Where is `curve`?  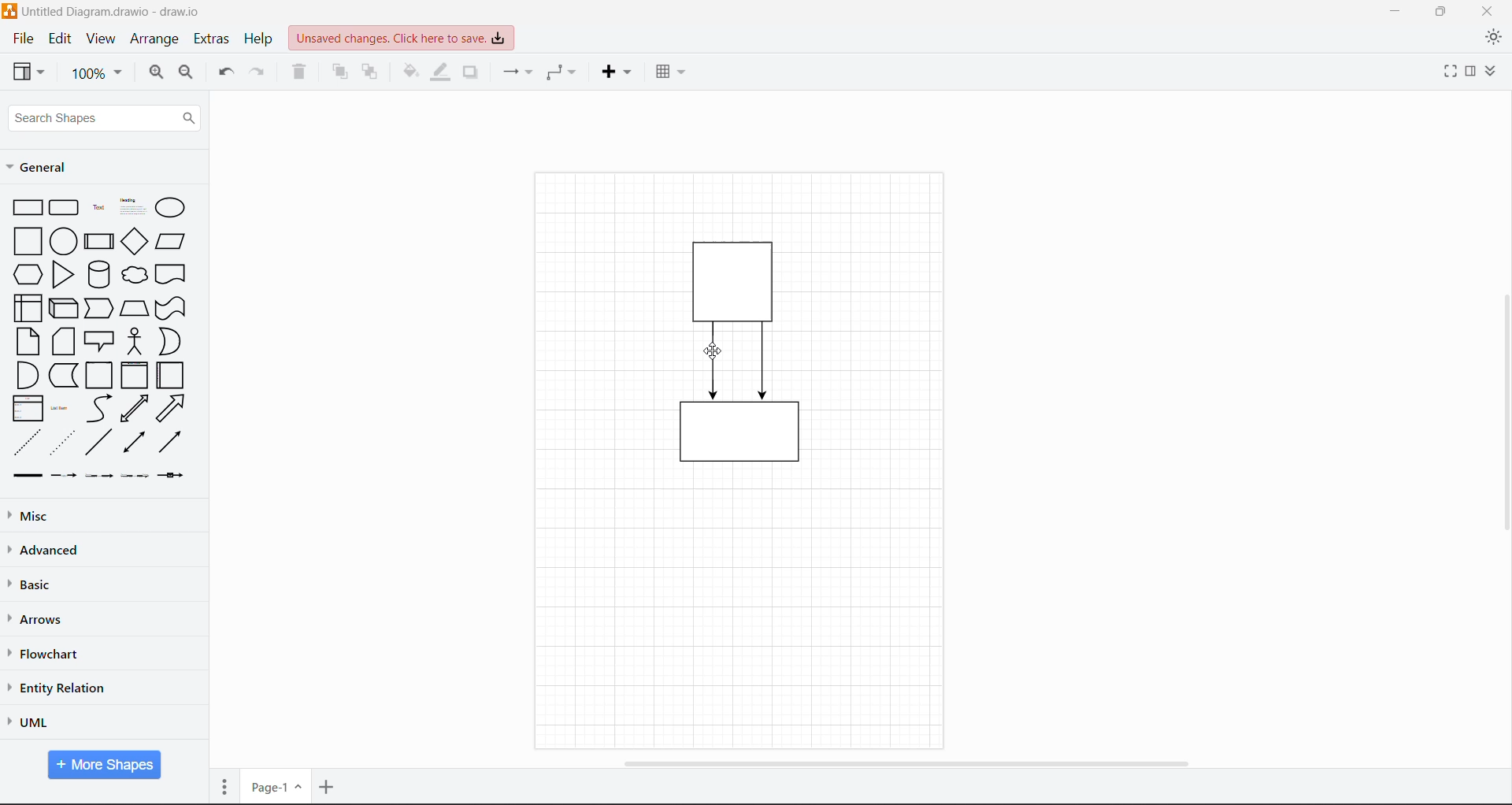 curve is located at coordinates (99, 409).